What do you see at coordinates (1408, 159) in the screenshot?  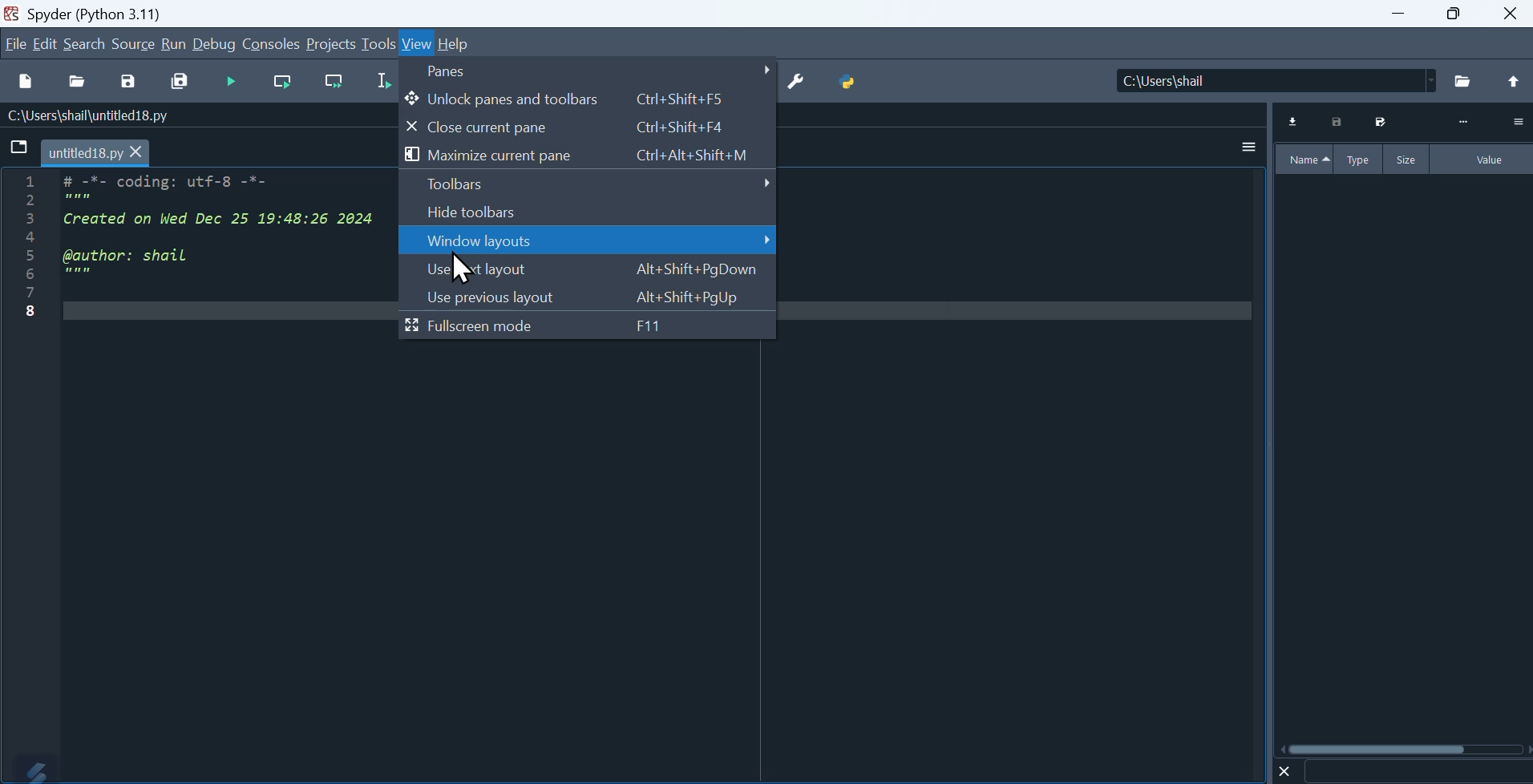 I see `Size` at bounding box center [1408, 159].